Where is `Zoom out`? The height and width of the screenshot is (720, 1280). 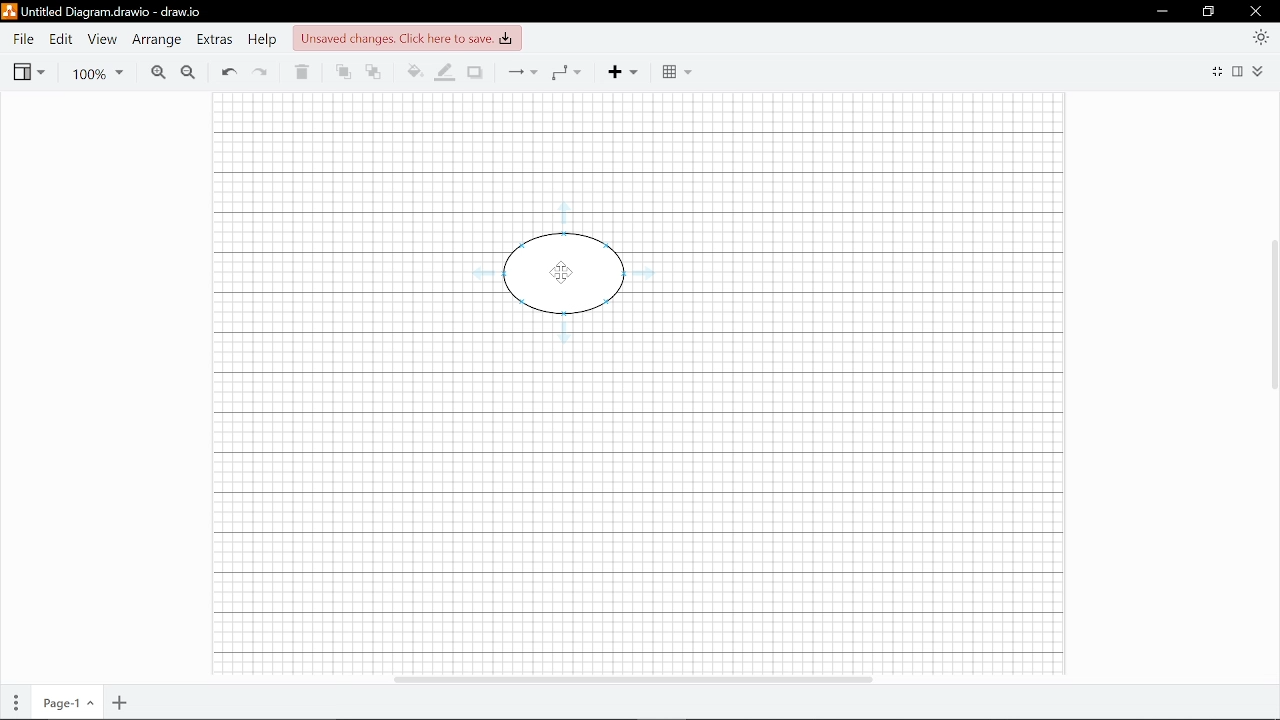
Zoom out is located at coordinates (188, 73).